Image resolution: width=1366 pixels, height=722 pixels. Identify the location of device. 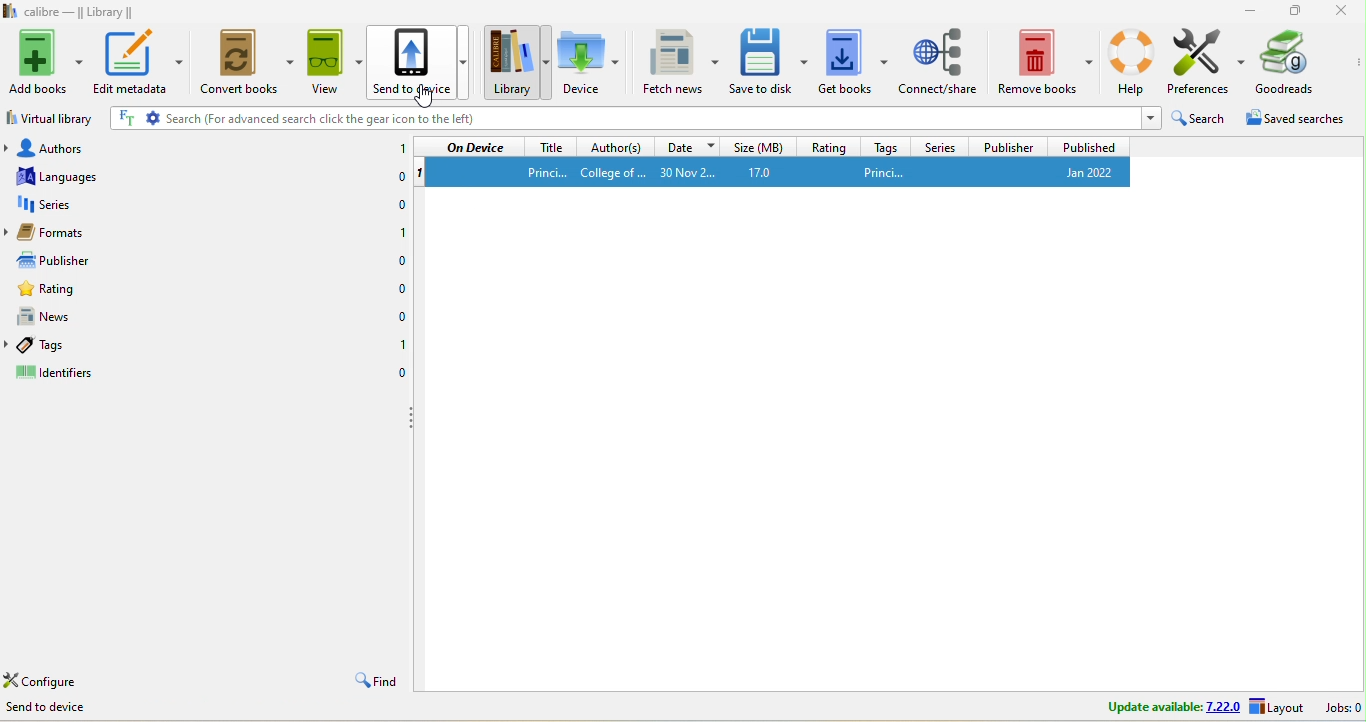
(588, 64).